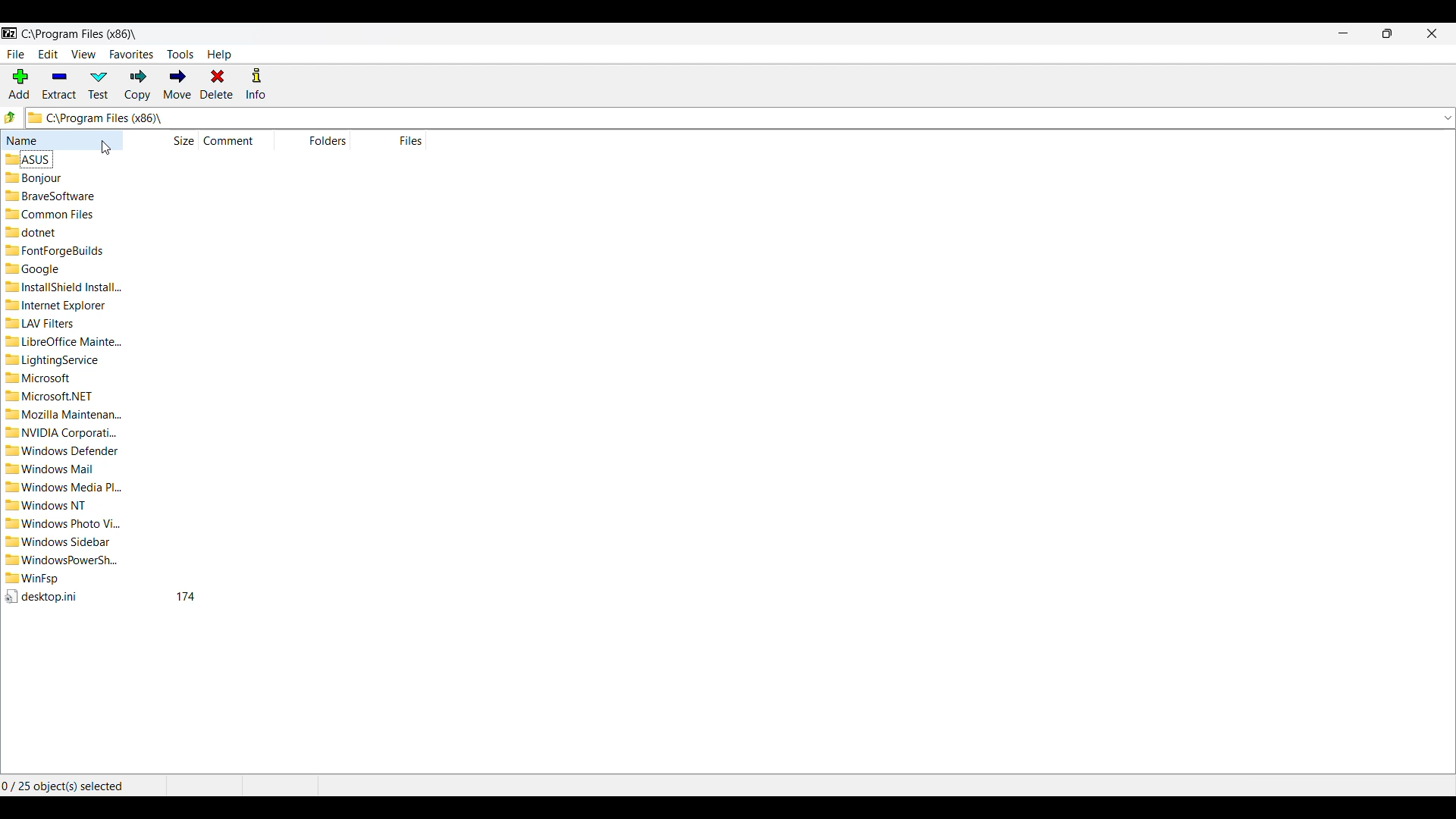 The height and width of the screenshot is (819, 1456). What do you see at coordinates (1388, 33) in the screenshot?
I see `Show interface in a smaller tab` at bounding box center [1388, 33].